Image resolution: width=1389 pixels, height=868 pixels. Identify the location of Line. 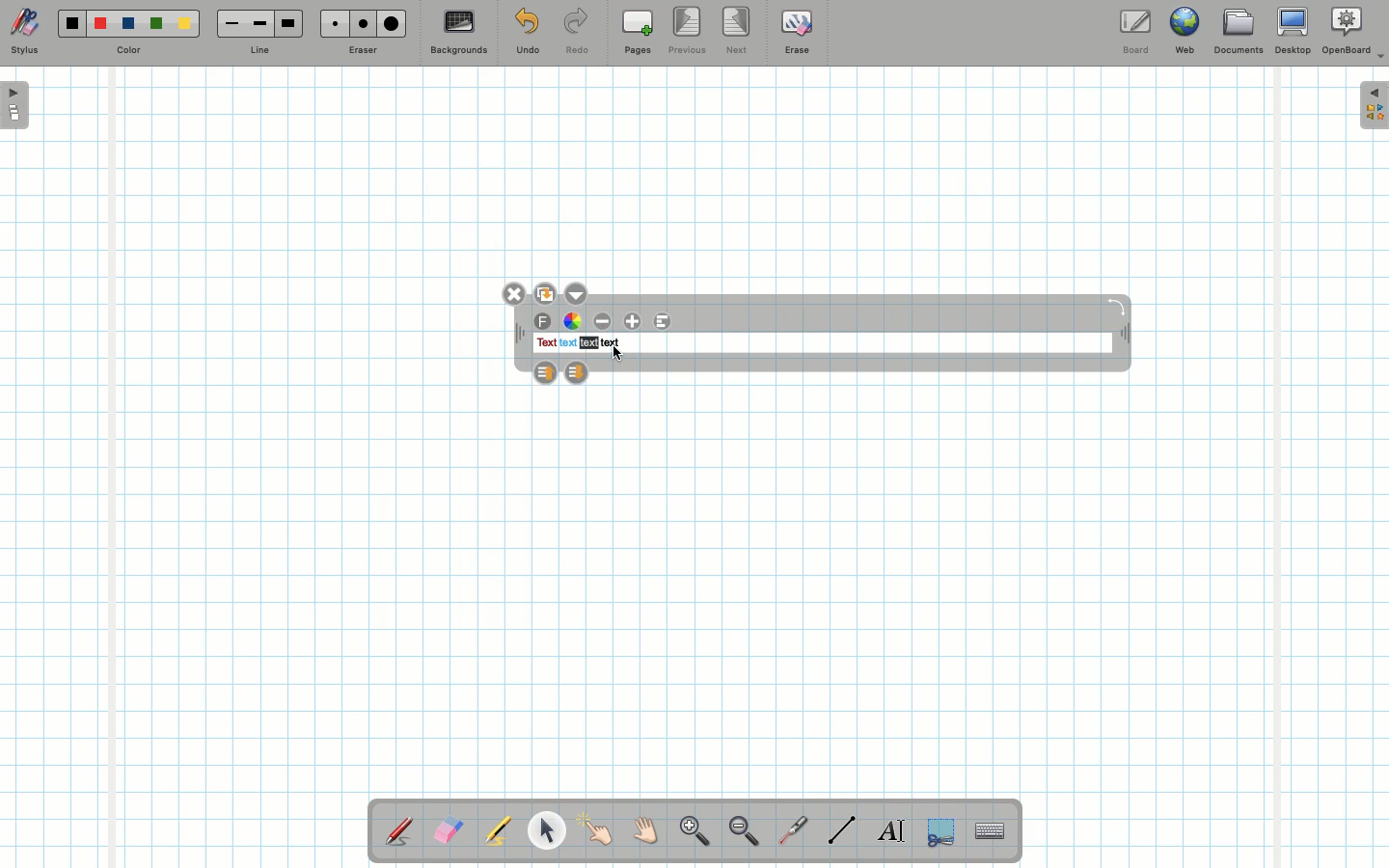
(842, 829).